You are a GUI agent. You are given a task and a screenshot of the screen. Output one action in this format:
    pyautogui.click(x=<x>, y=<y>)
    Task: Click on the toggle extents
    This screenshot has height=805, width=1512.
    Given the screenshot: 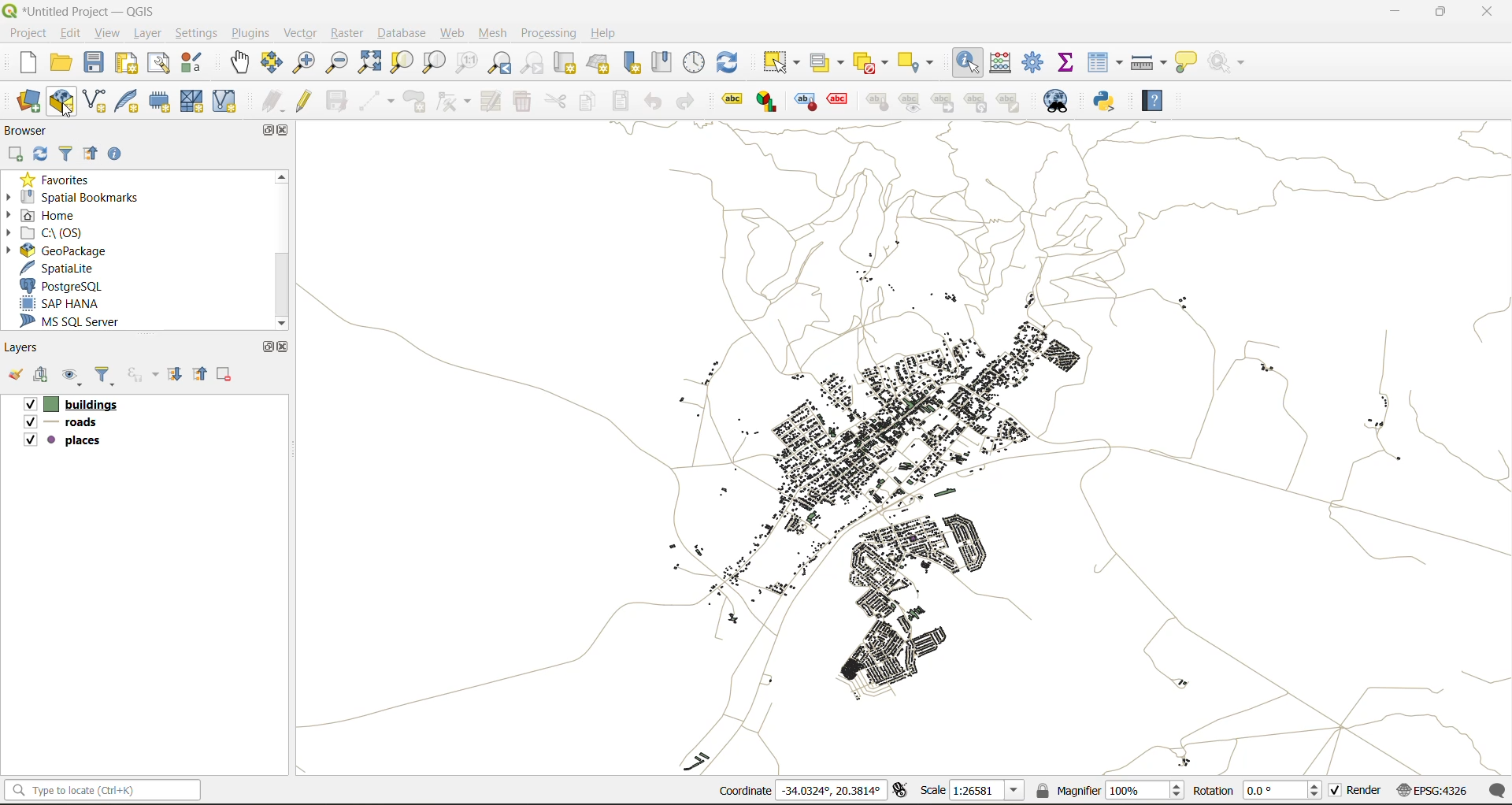 What is the action you would take?
    pyautogui.click(x=902, y=792)
    